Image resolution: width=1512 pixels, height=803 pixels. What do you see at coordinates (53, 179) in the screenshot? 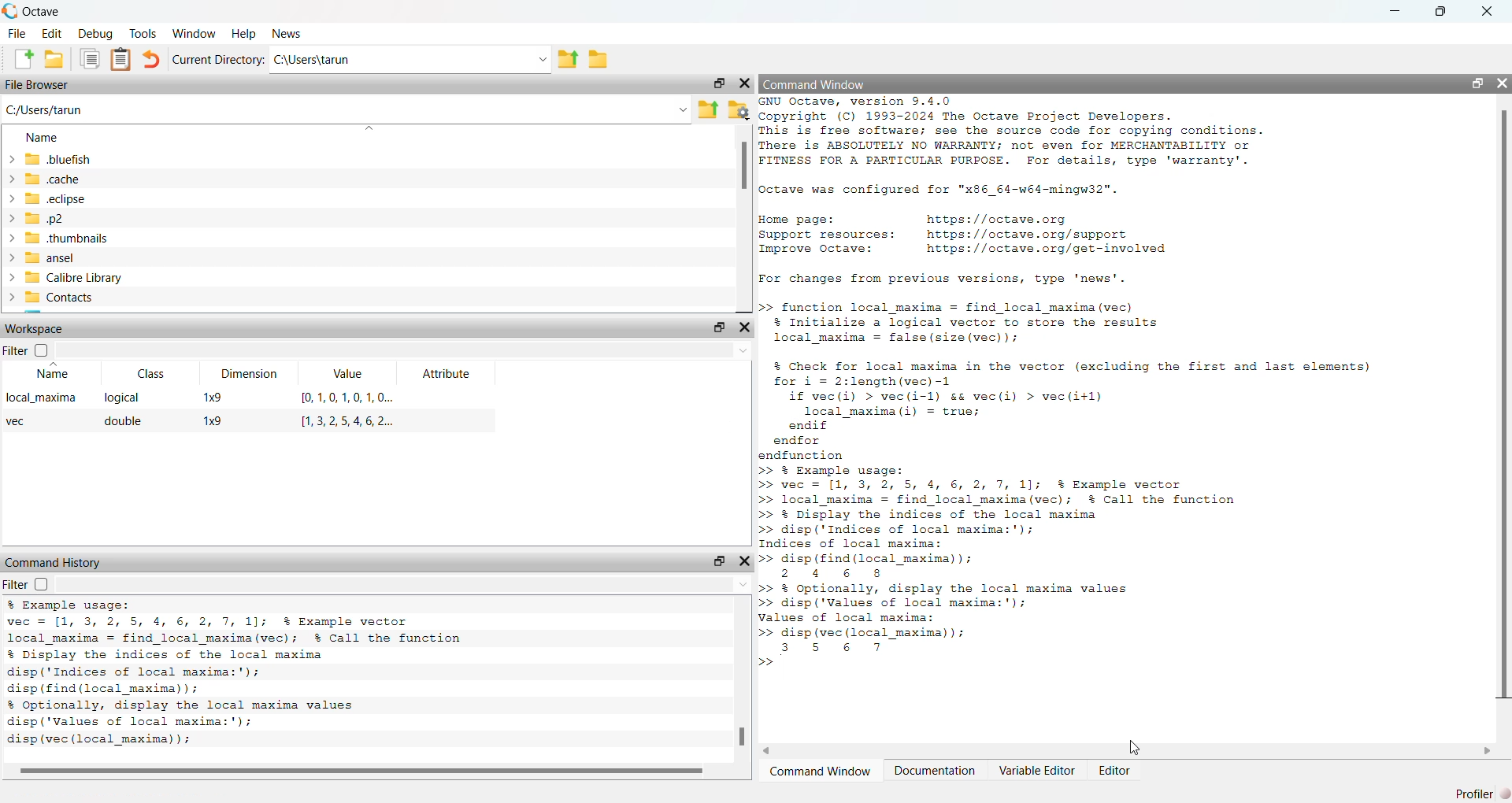
I see `.cache` at bounding box center [53, 179].